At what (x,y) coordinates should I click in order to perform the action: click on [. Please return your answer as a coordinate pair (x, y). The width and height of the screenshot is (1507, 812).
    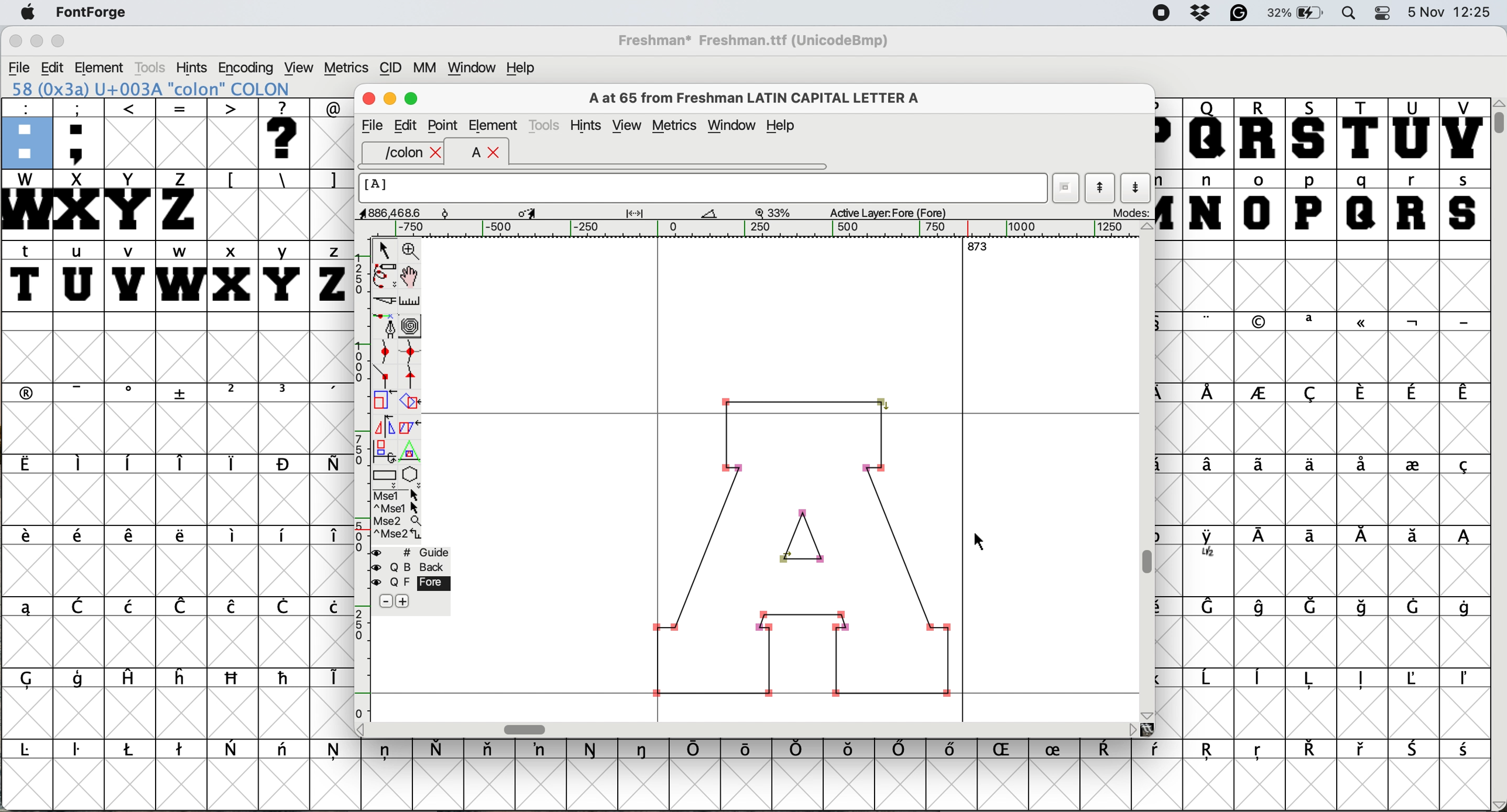
    Looking at the image, I should click on (232, 180).